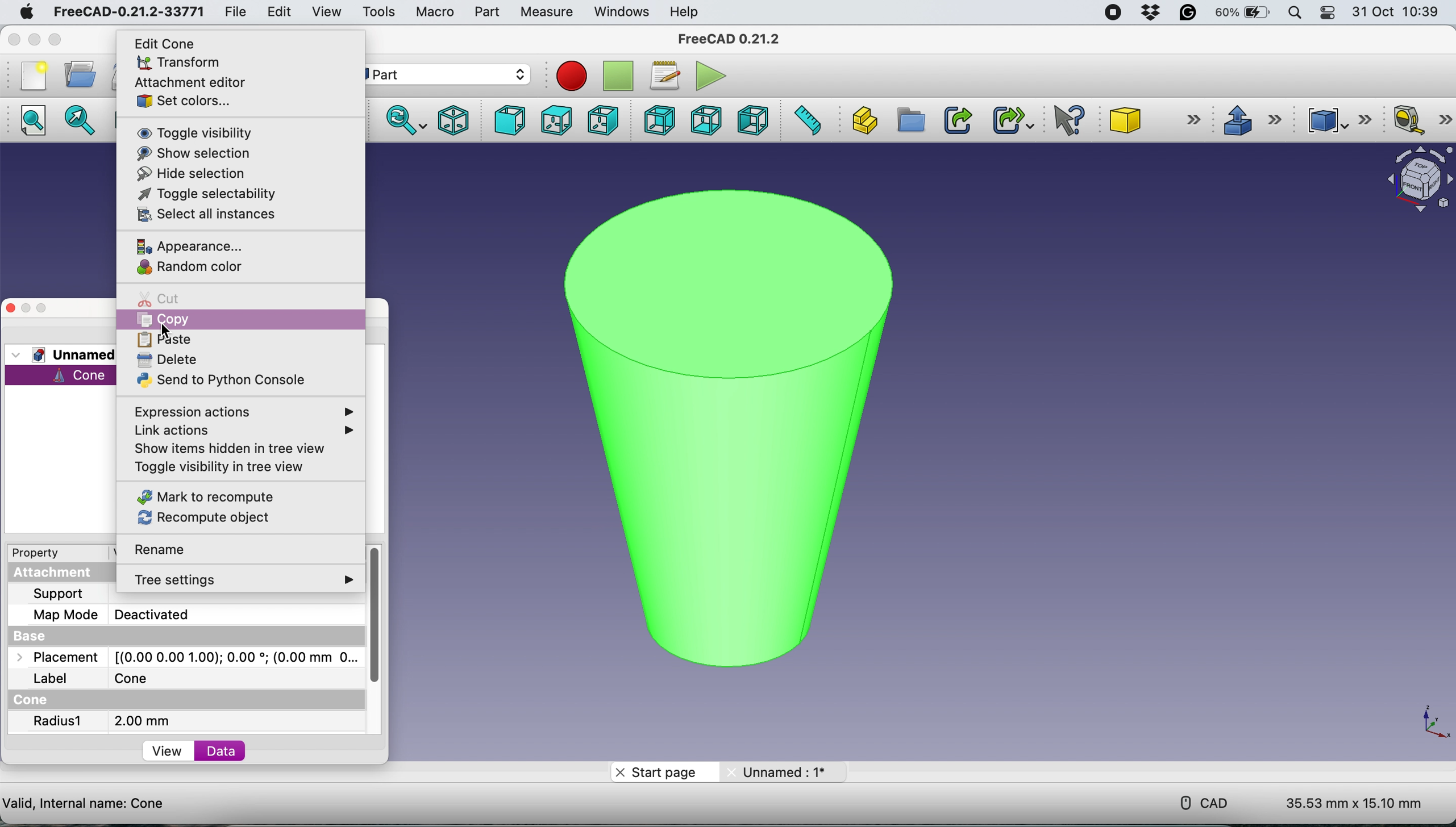  I want to click on random color, so click(194, 268).